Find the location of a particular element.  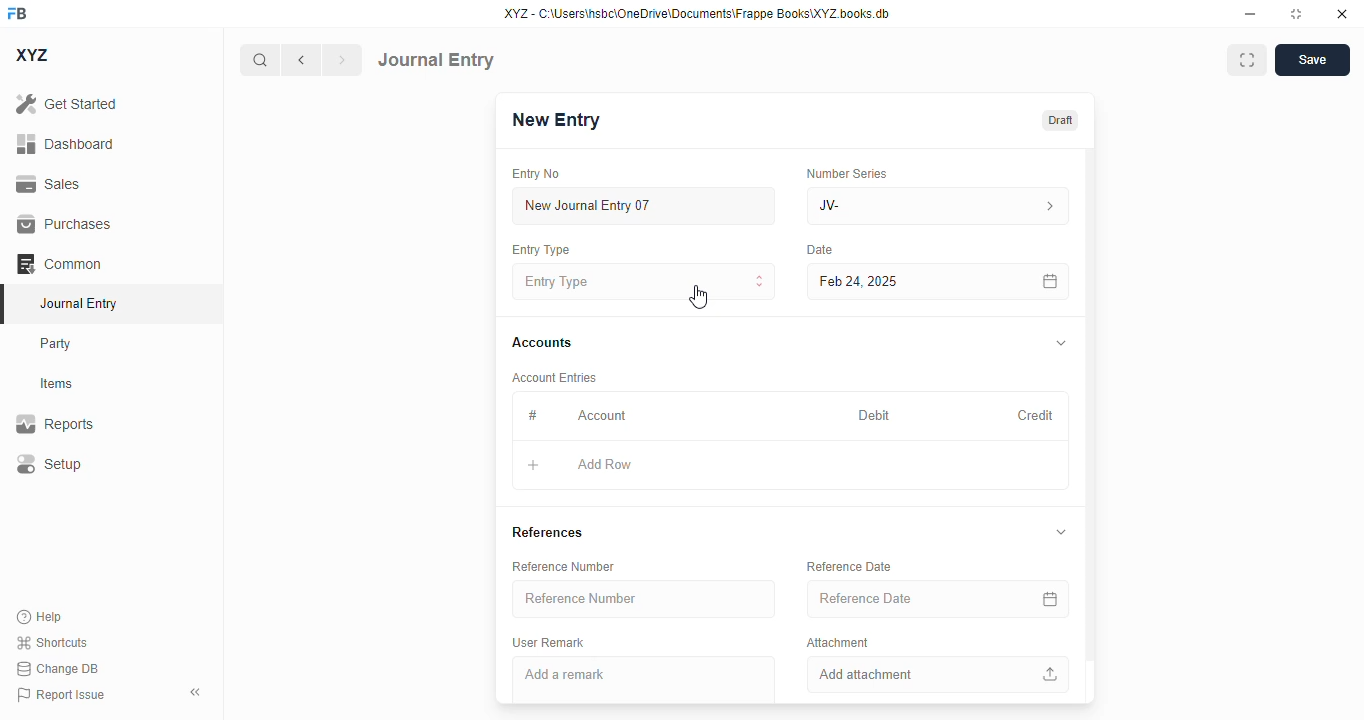

shortcuts is located at coordinates (52, 642).